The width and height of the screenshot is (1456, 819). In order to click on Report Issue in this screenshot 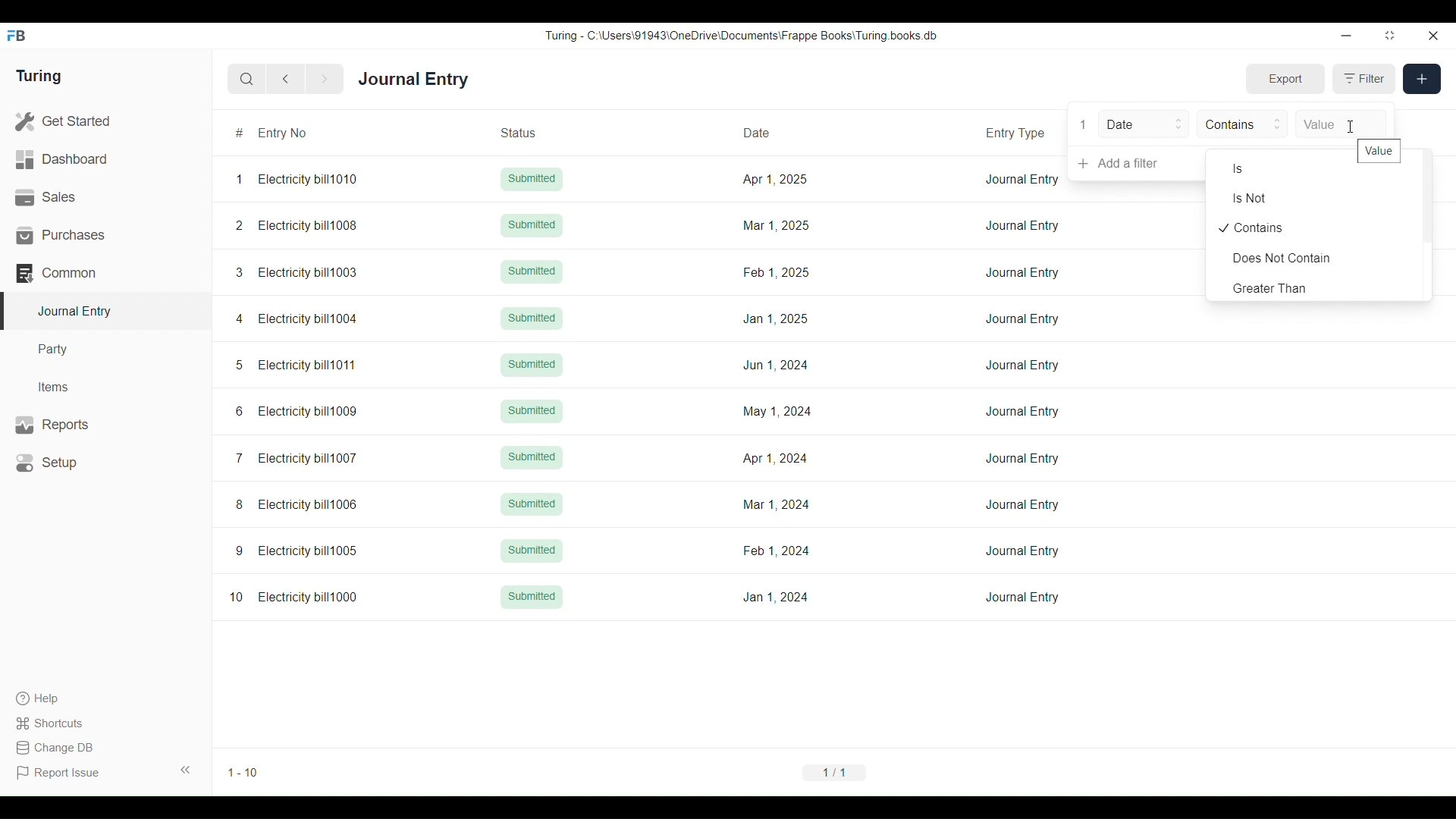, I will do `click(58, 773)`.